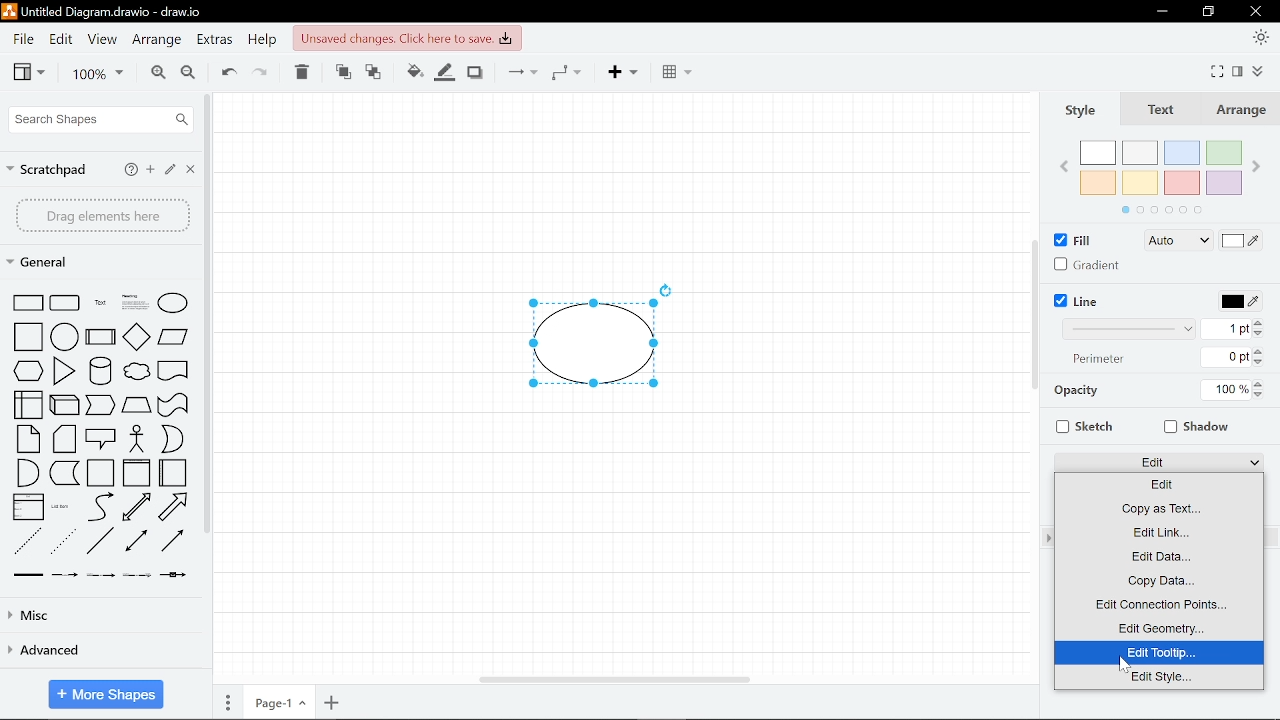 This screenshot has width=1280, height=720. I want to click on Arrange, so click(158, 40).